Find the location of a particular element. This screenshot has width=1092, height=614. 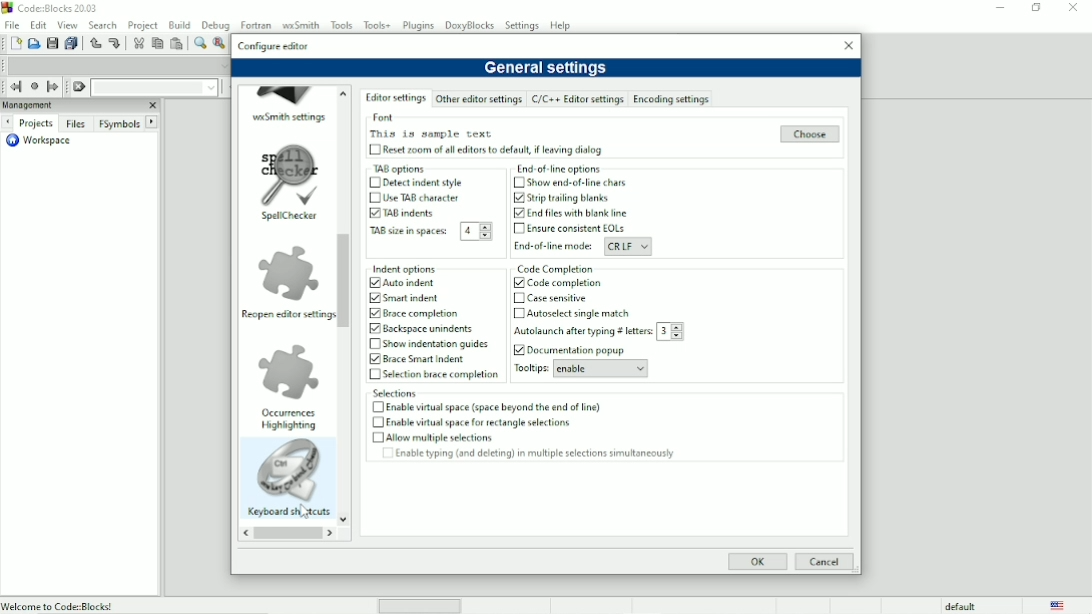

 is located at coordinates (375, 407).